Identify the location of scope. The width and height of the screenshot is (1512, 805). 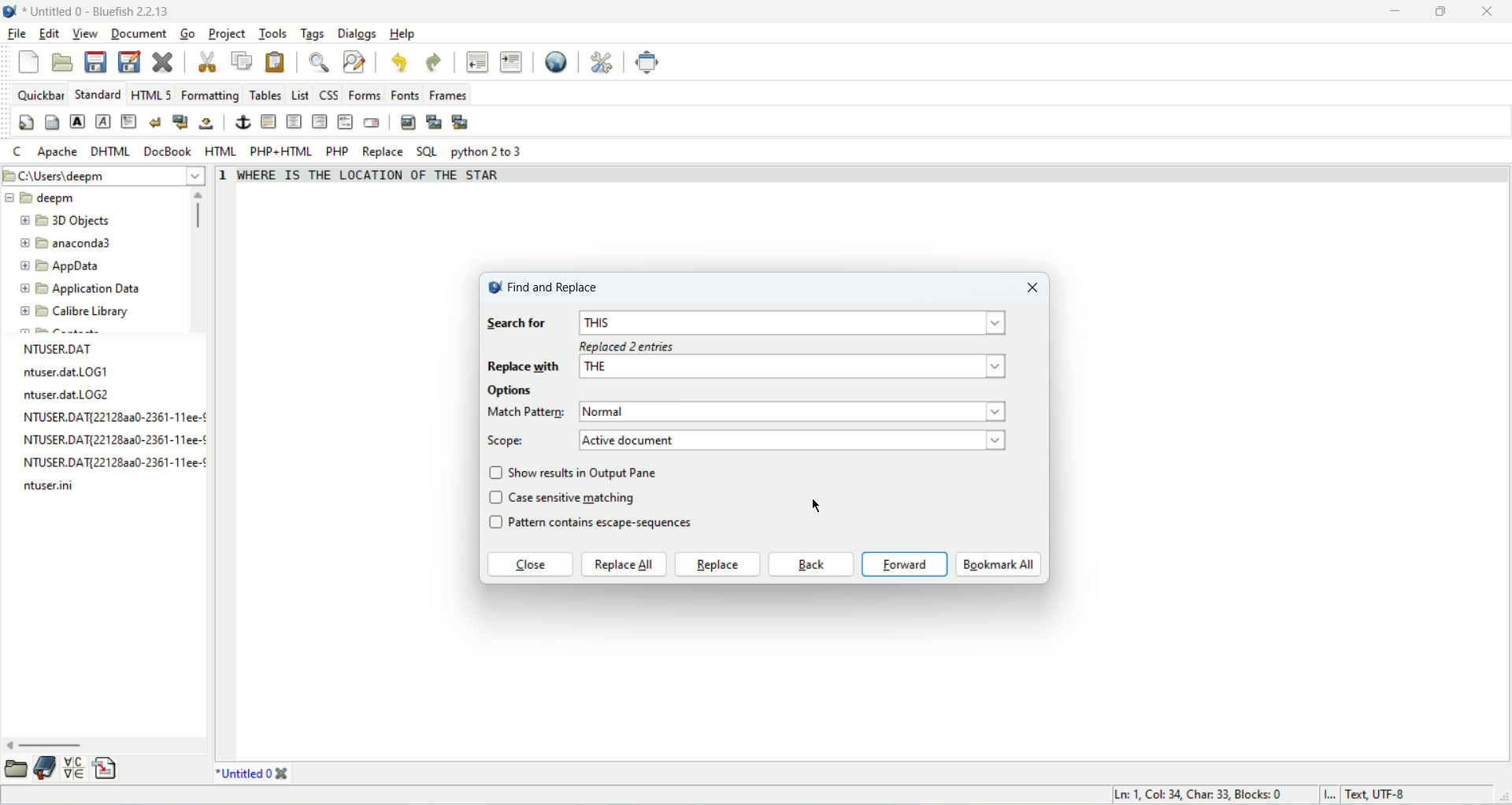
(794, 440).